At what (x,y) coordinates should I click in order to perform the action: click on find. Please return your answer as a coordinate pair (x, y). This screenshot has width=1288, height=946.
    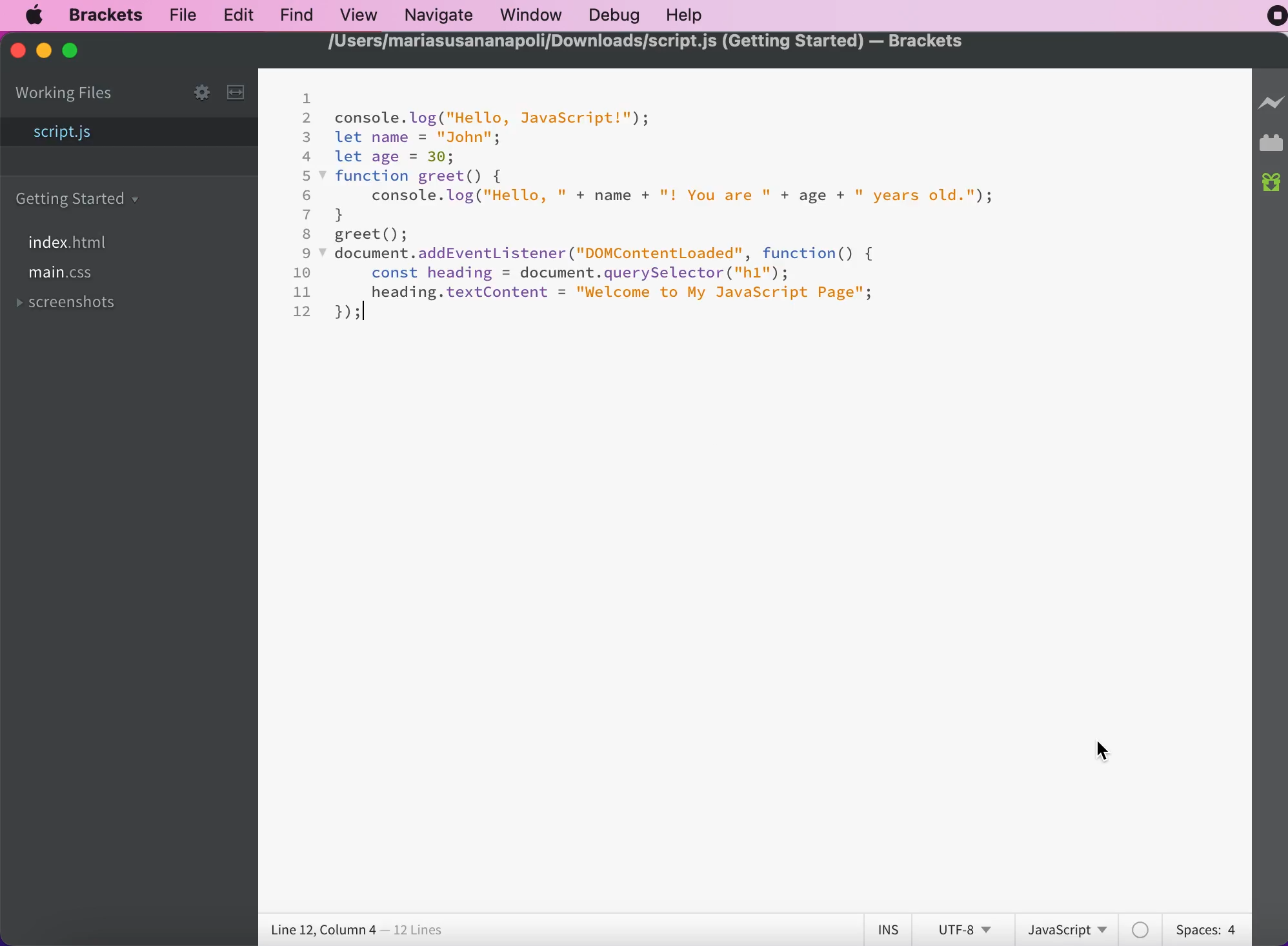
    Looking at the image, I should click on (293, 14).